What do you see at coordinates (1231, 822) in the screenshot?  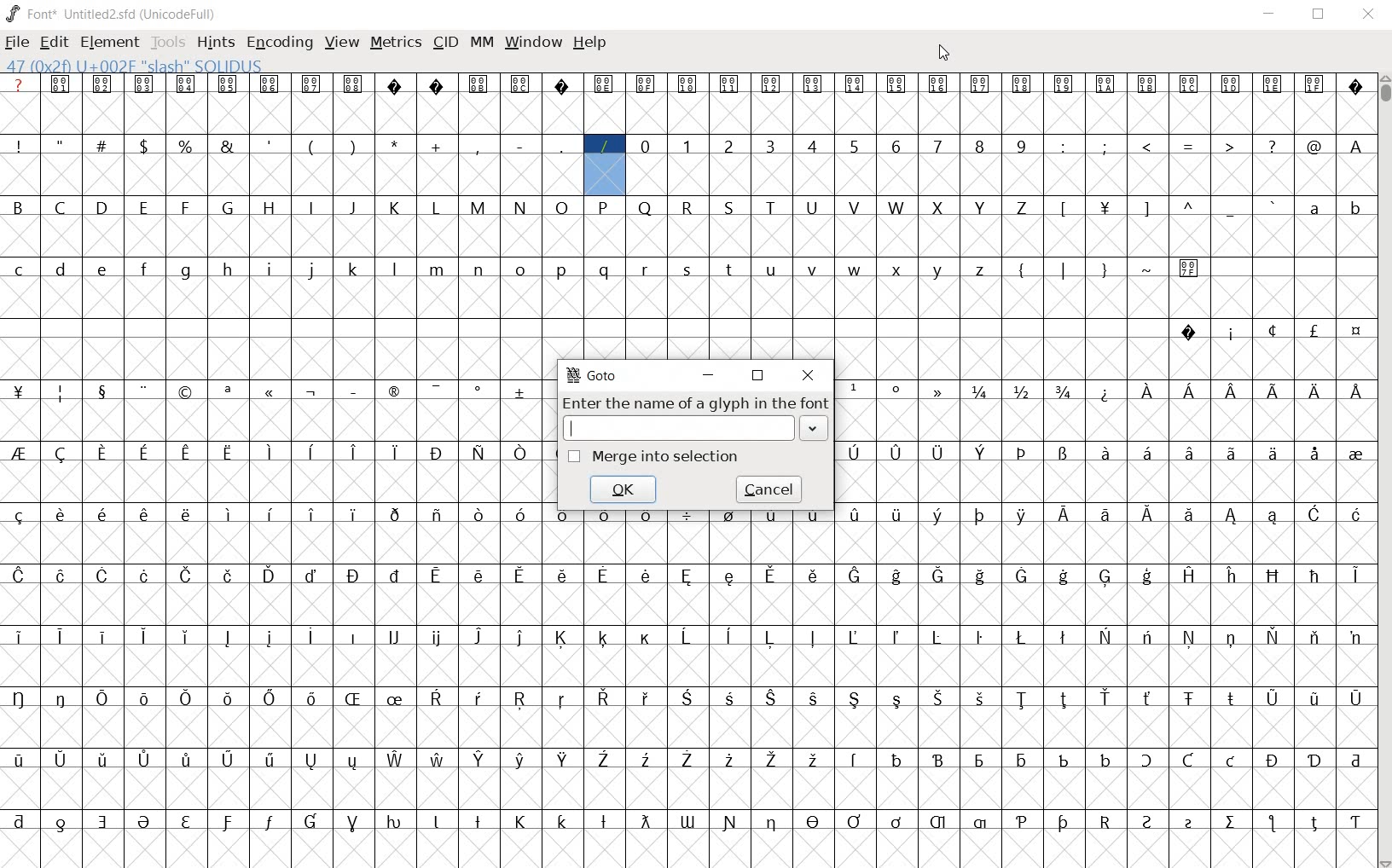 I see `glyph` at bounding box center [1231, 822].